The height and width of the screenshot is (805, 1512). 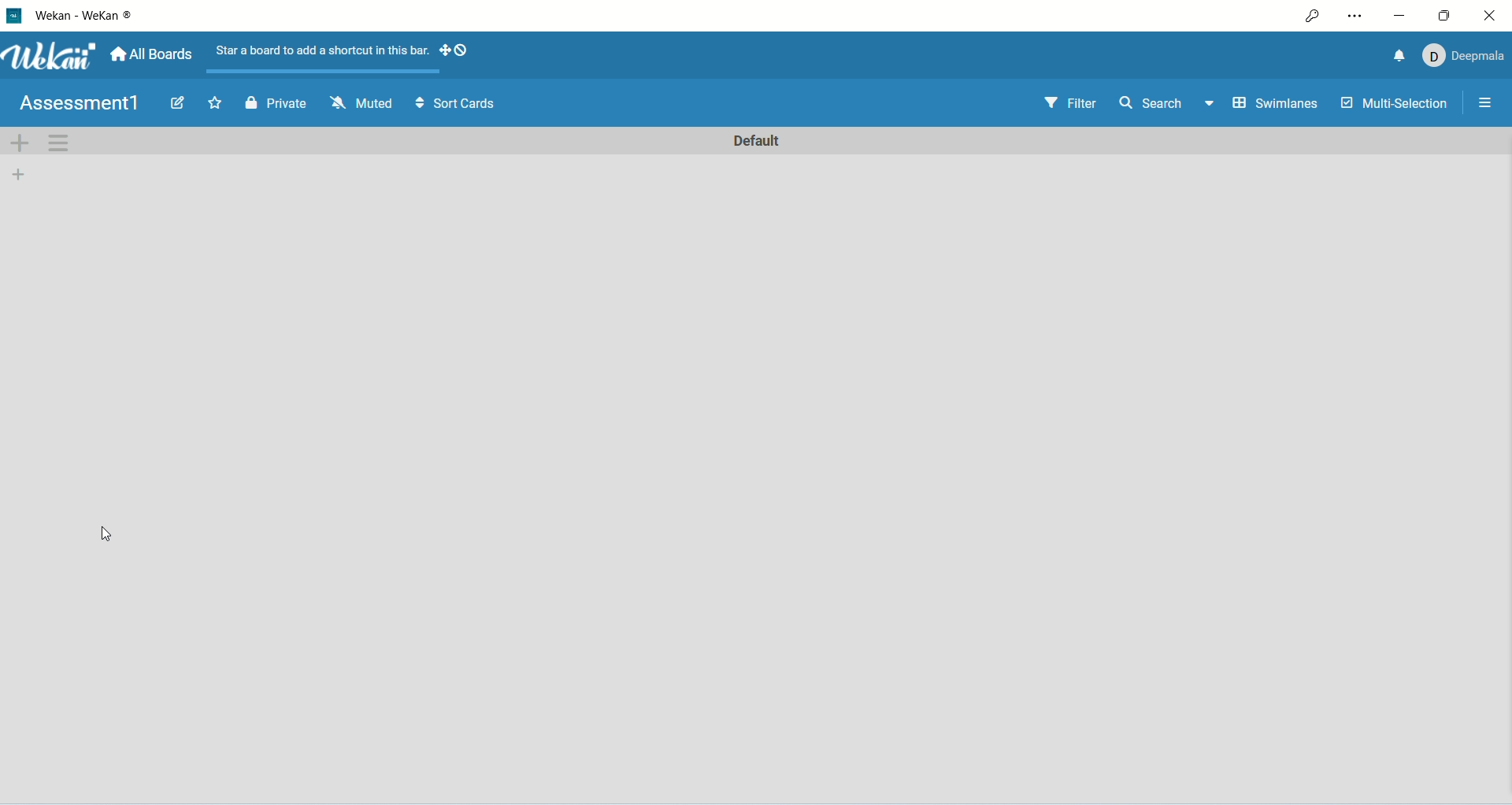 I want to click on filter, so click(x=1069, y=104).